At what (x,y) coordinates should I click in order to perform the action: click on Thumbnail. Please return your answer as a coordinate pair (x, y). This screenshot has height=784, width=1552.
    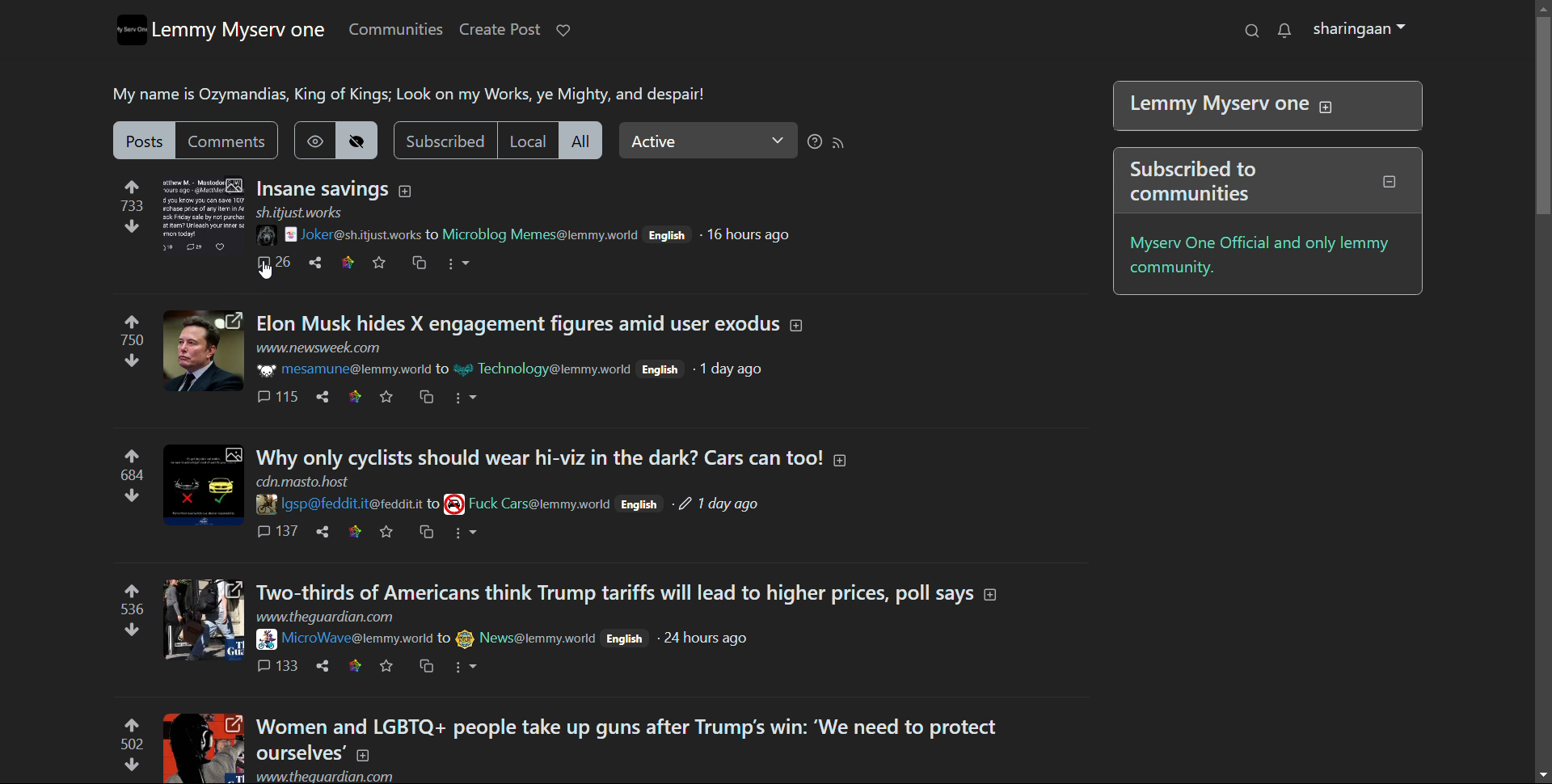
    Looking at the image, I should click on (203, 485).